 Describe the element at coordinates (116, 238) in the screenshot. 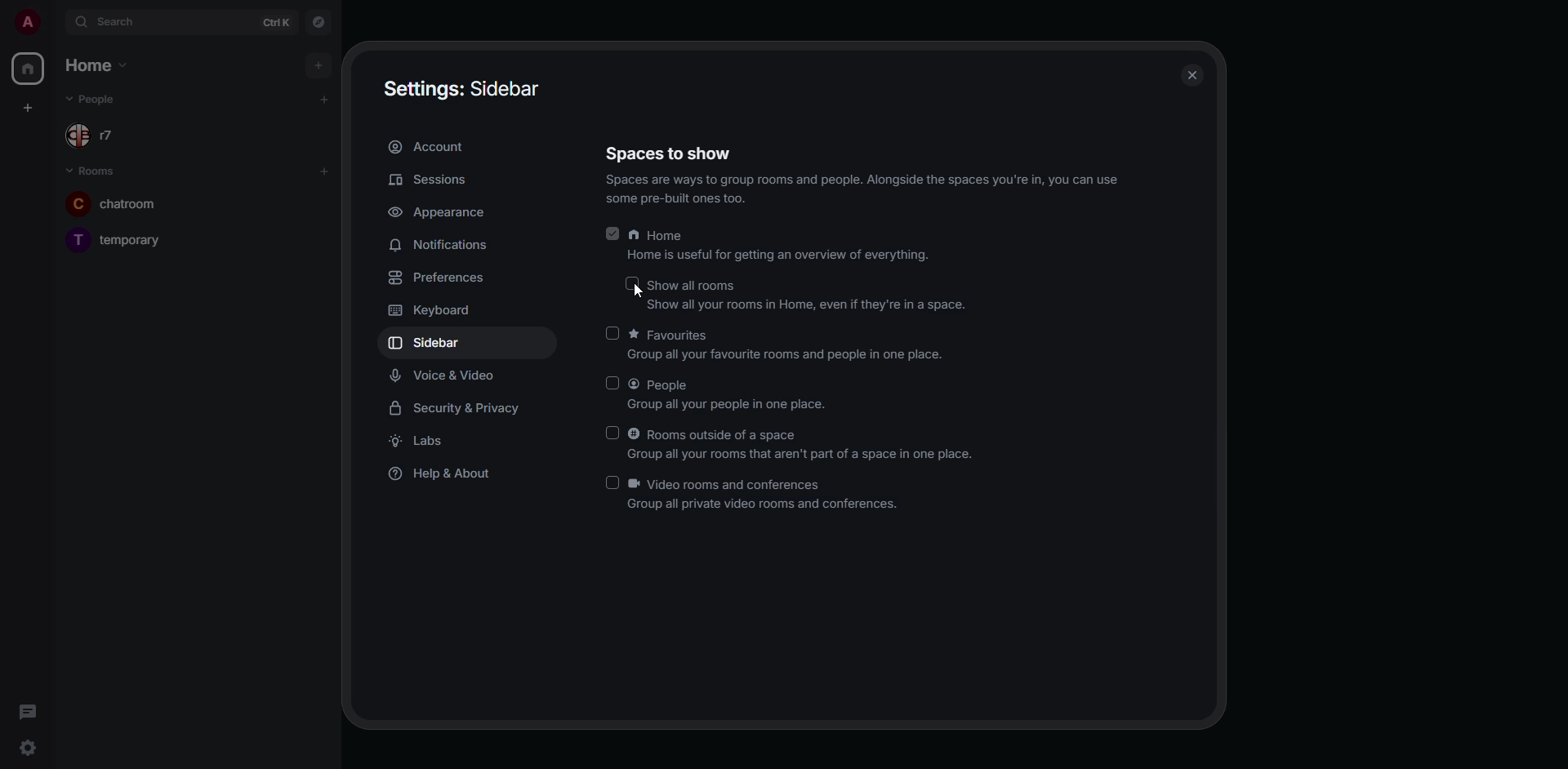

I see `temporary` at that location.